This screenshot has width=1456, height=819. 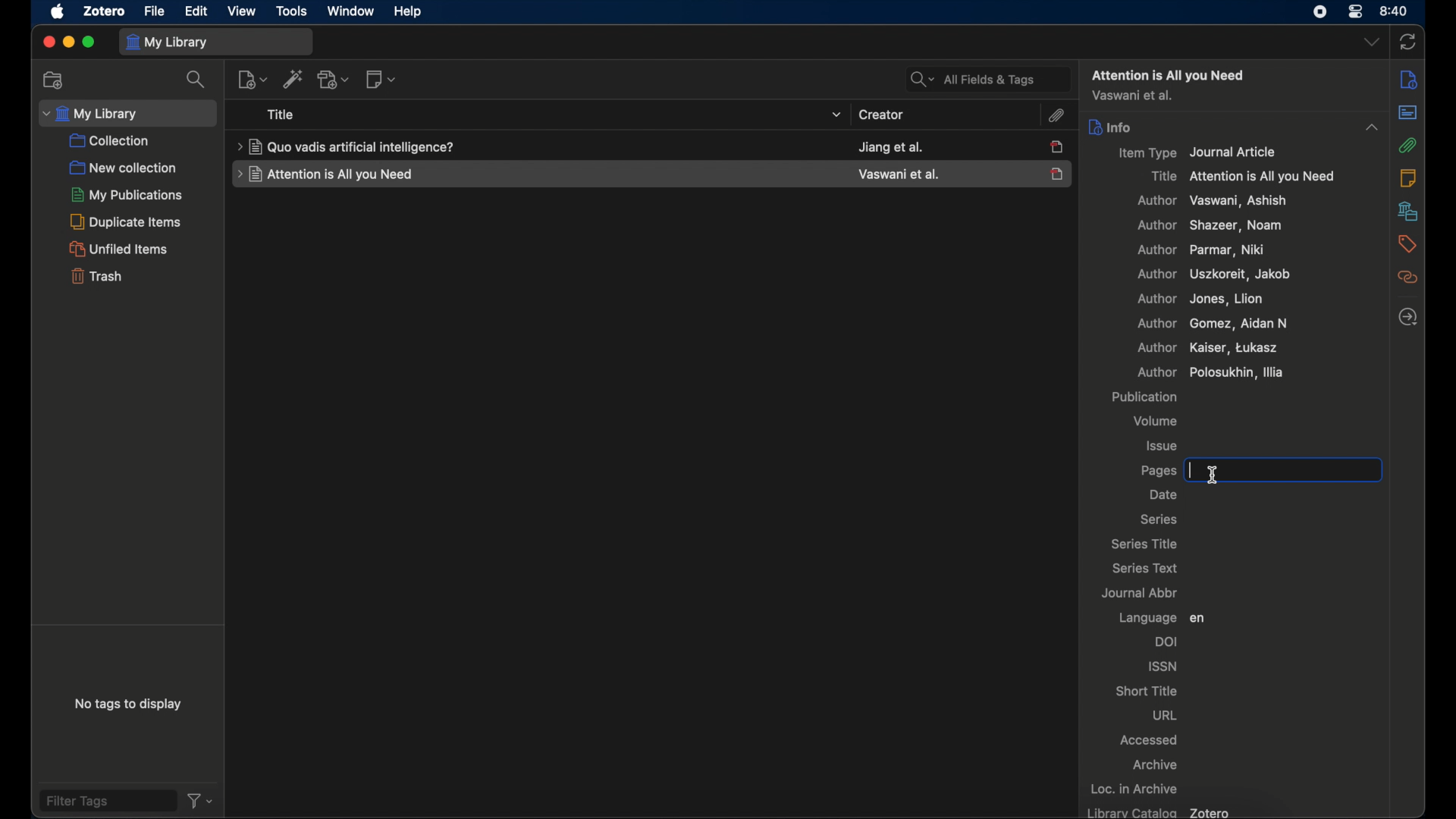 I want to click on item unselected, so click(x=1059, y=147).